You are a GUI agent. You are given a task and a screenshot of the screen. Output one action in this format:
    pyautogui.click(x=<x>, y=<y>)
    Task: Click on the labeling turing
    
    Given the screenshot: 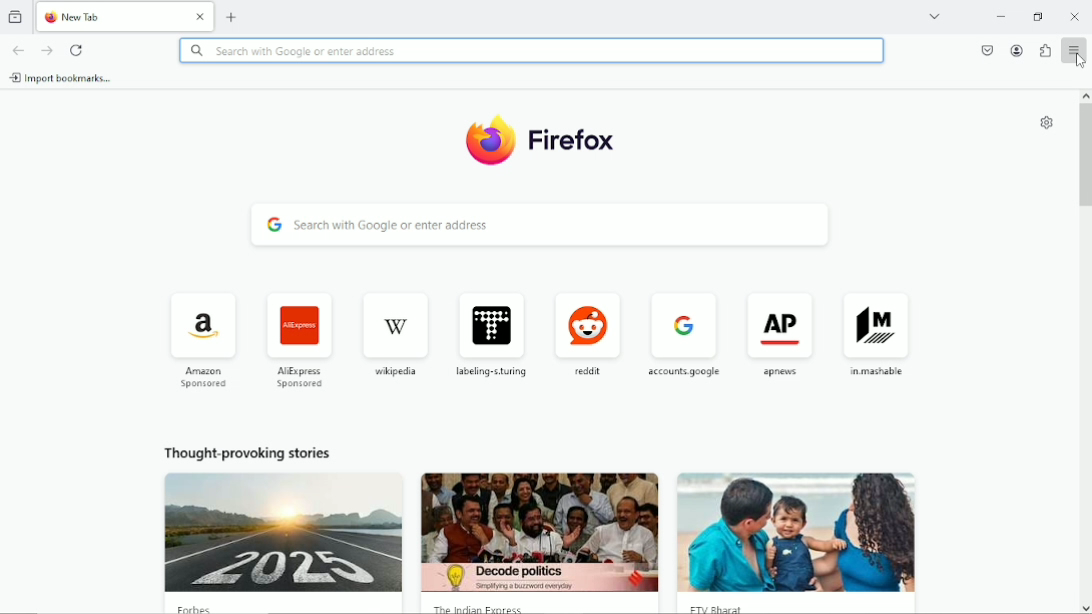 What is the action you would take?
    pyautogui.click(x=491, y=329)
    